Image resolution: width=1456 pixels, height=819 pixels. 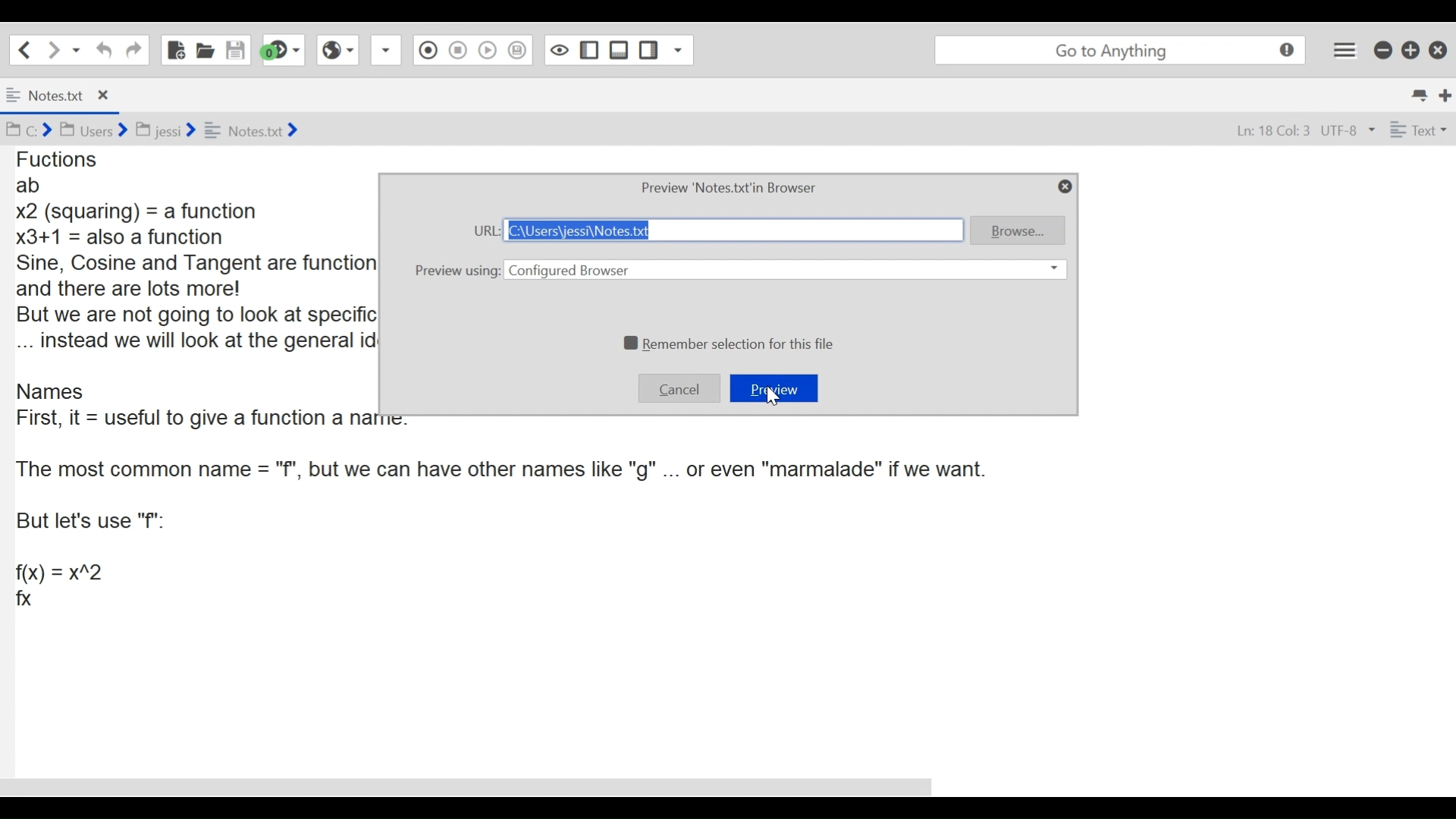 I want to click on View in Browser, so click(x=337, y=52).